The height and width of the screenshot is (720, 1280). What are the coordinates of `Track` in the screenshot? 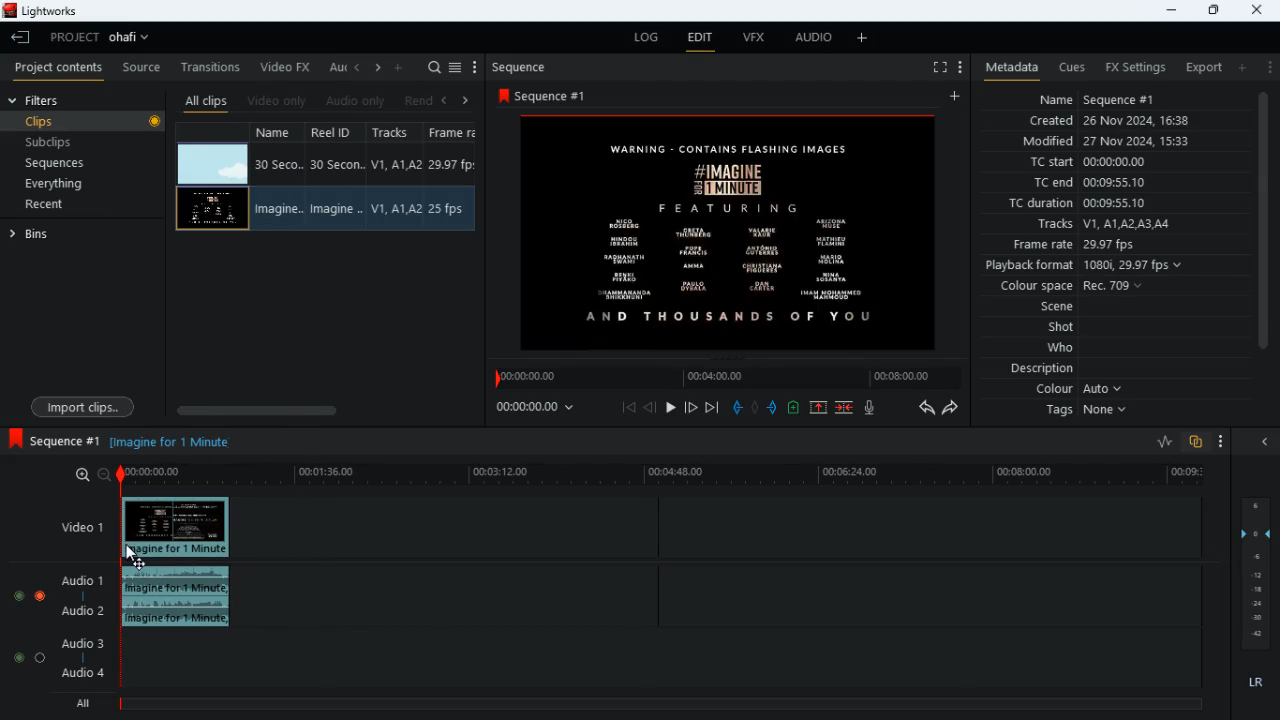 It's located at (398, 164).